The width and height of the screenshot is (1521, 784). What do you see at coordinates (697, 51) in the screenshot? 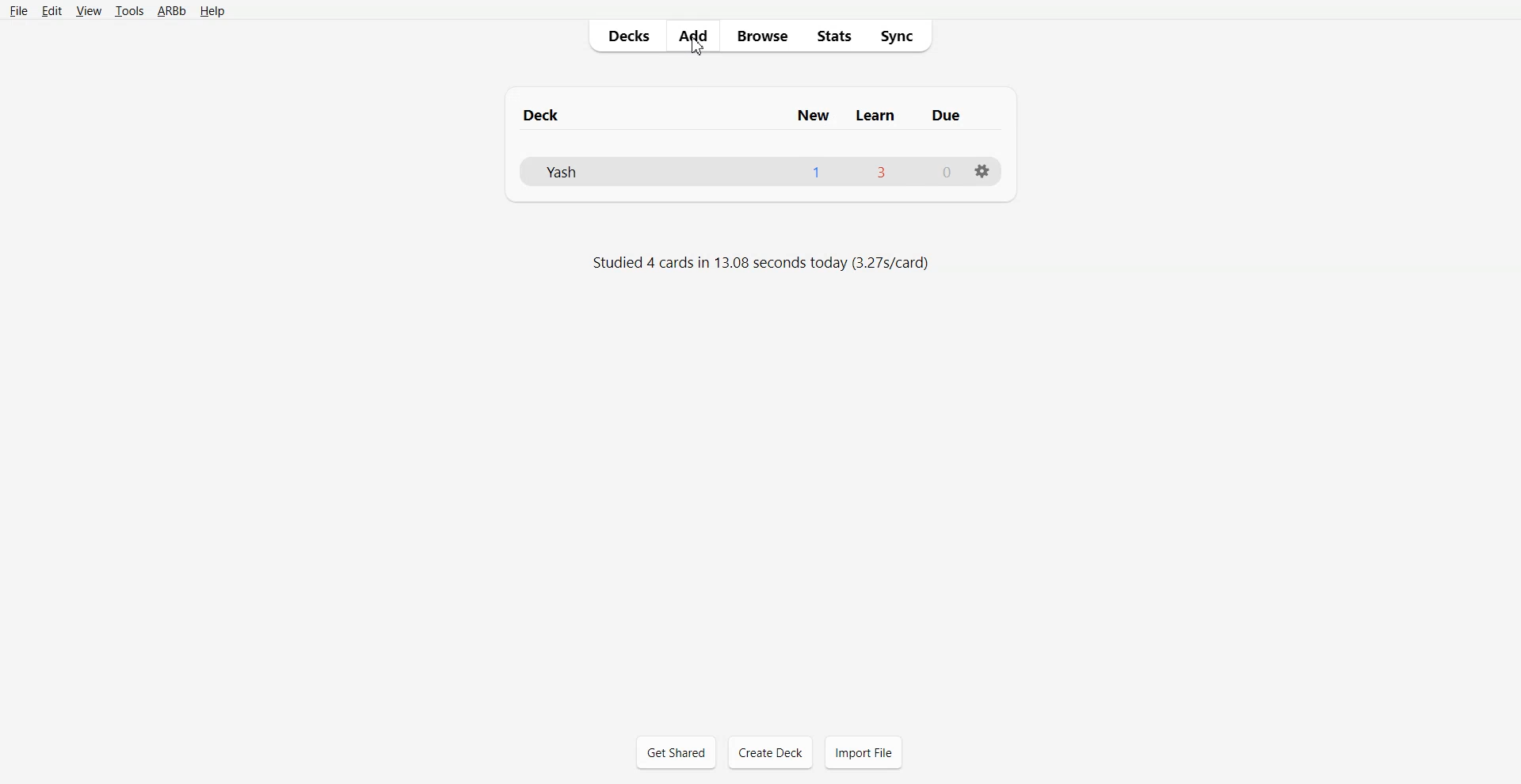
I see `cursor` at bounding box center [697, 51].